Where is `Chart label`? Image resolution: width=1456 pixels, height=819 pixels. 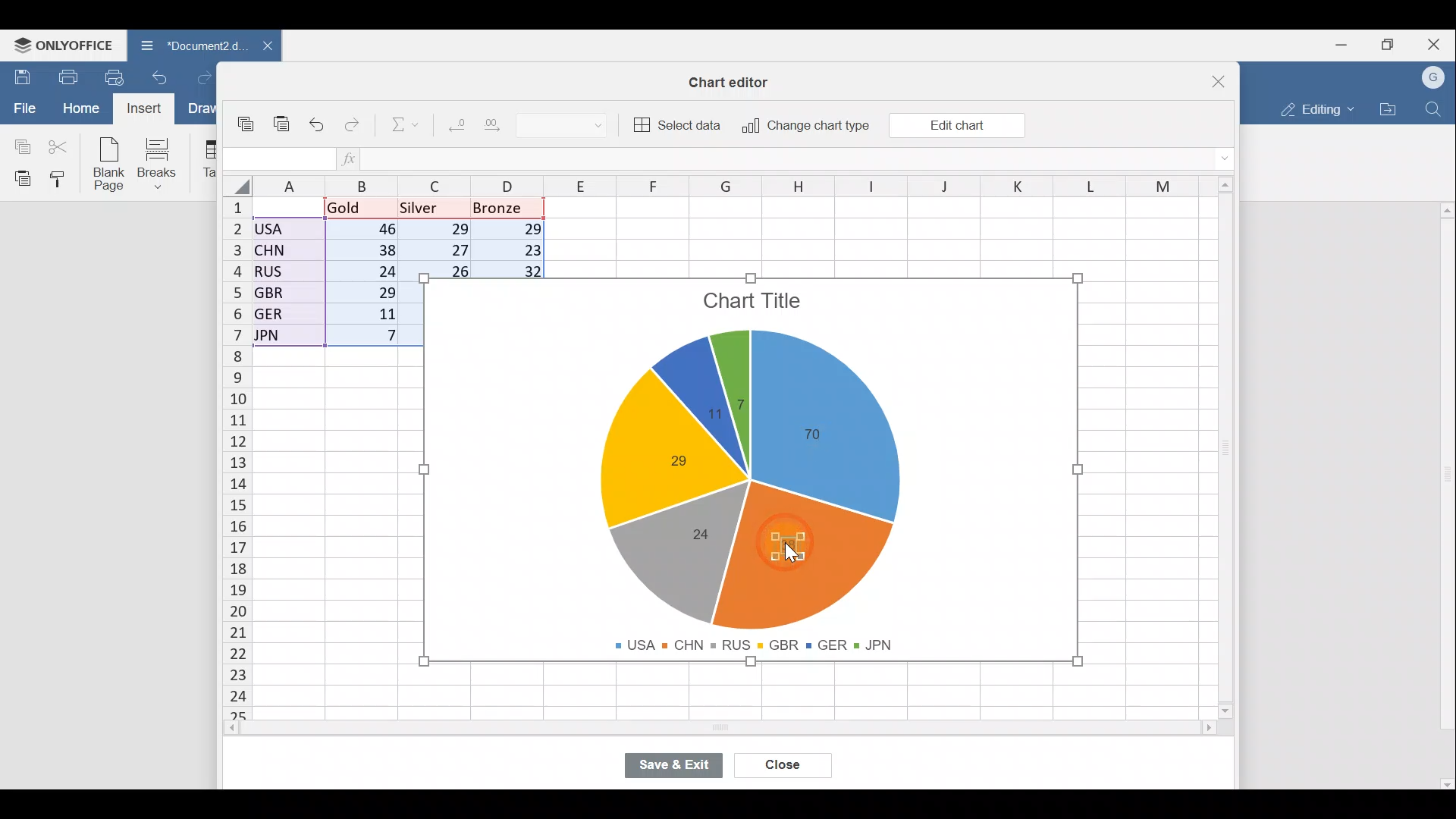
Chart label is located at coordinates (708, 419).